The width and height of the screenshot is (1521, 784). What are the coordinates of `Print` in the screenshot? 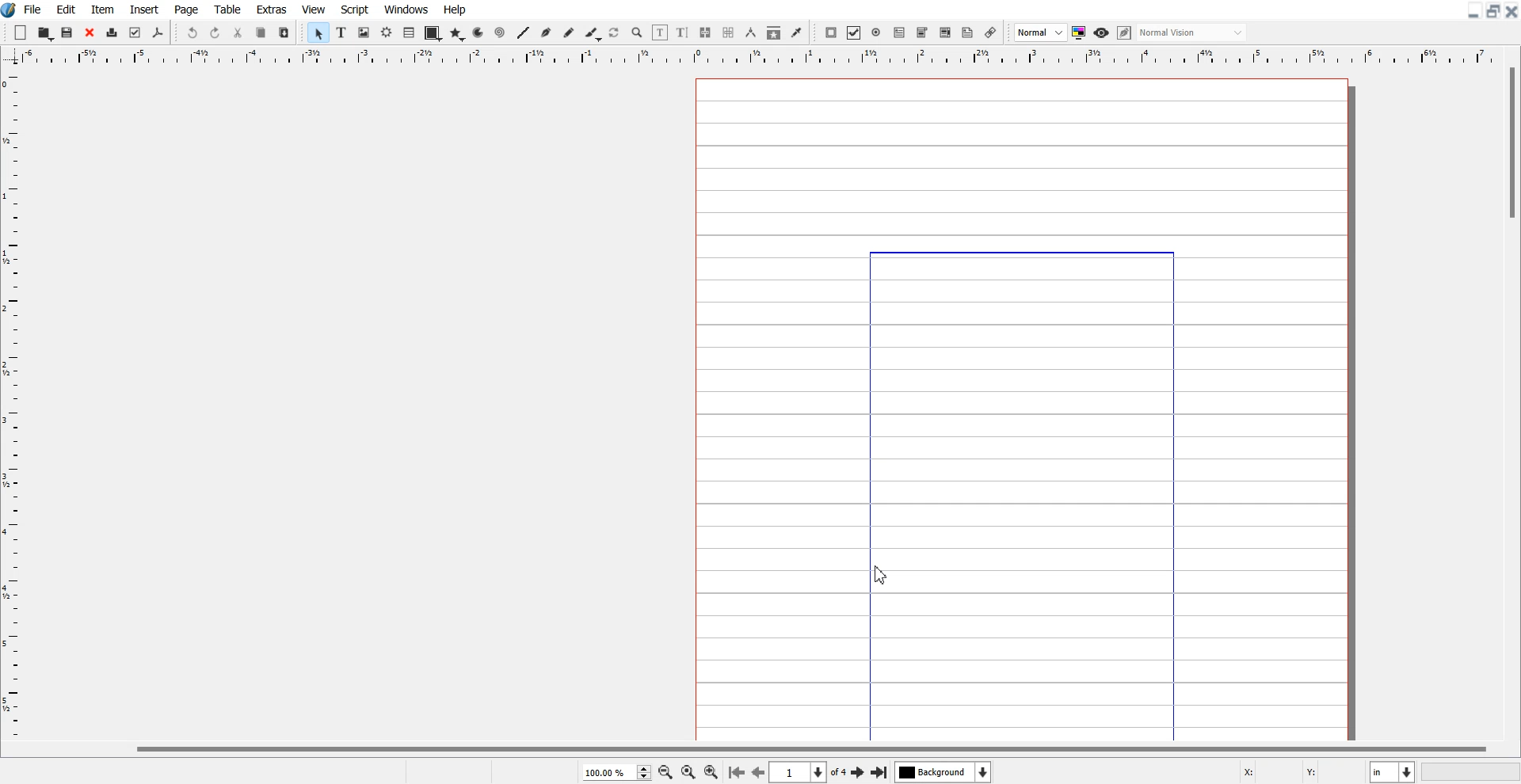 It's located at (112, 32).